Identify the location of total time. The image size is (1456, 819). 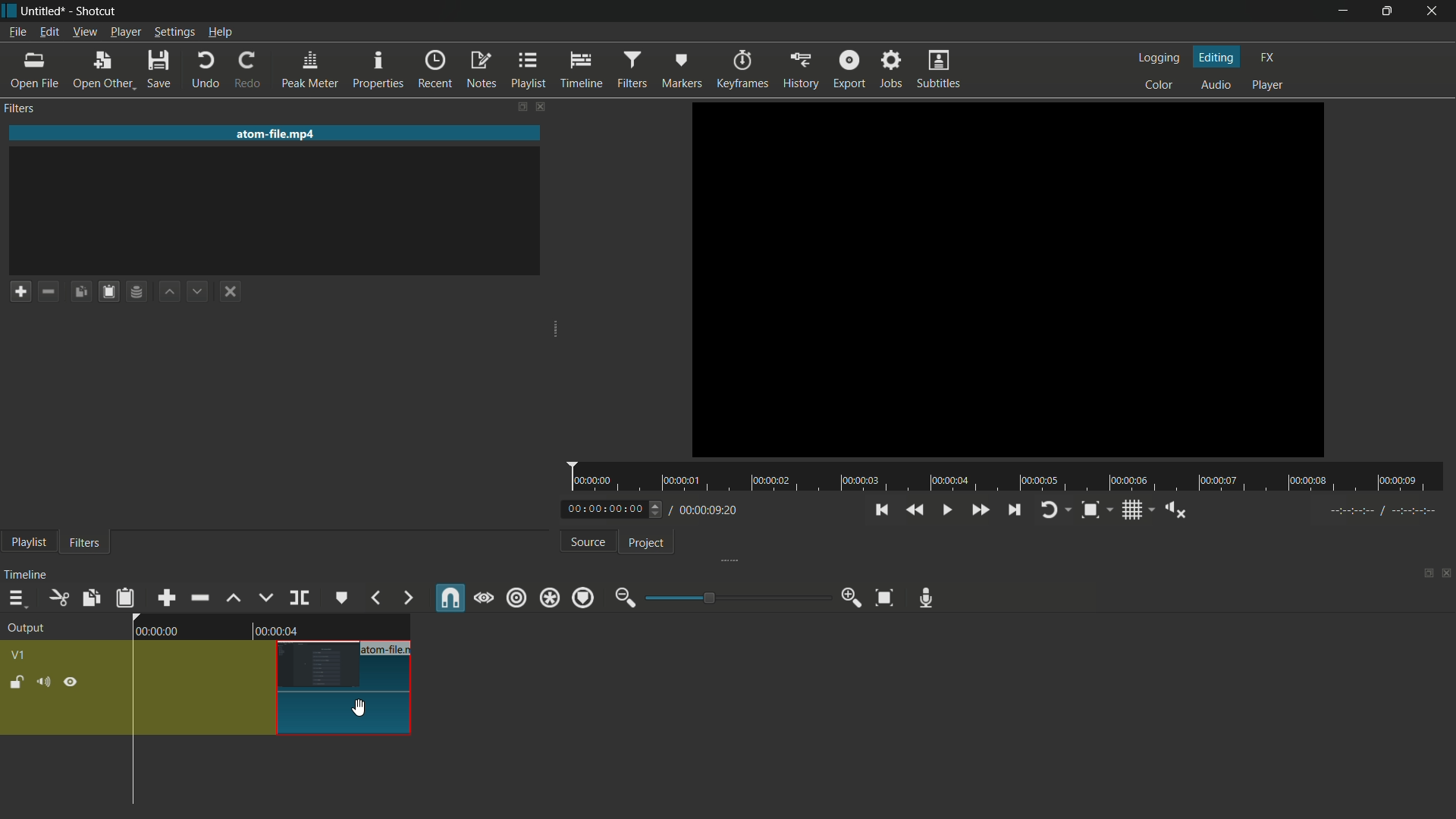
(711, 512).